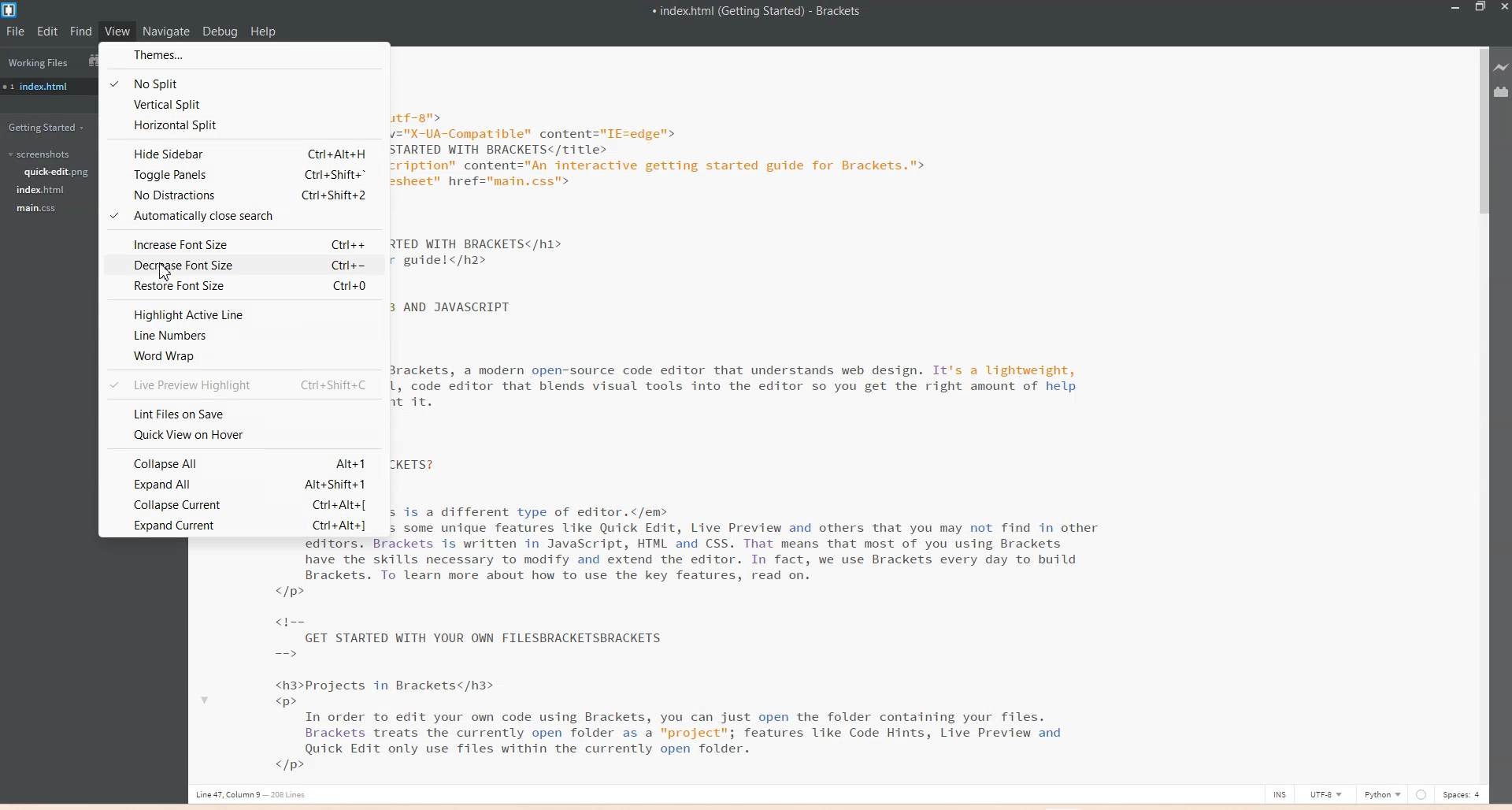  What do you see at coordinates (1462, 794) in the screenshot?
I see `Spaces` at bounding box center [1462, 794].